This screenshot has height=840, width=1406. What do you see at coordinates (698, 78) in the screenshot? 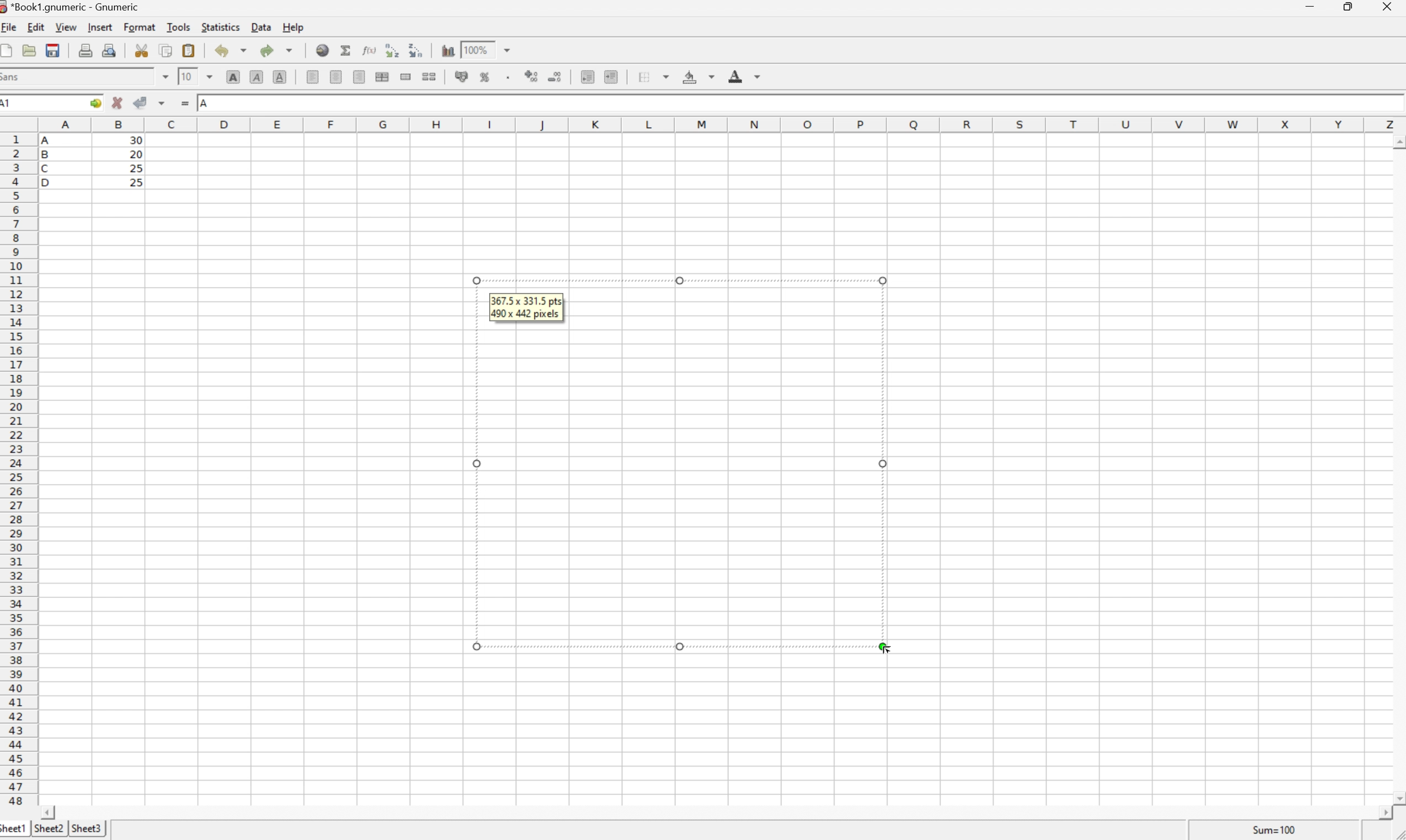
I see `Background` at bounding box center [698, 78].